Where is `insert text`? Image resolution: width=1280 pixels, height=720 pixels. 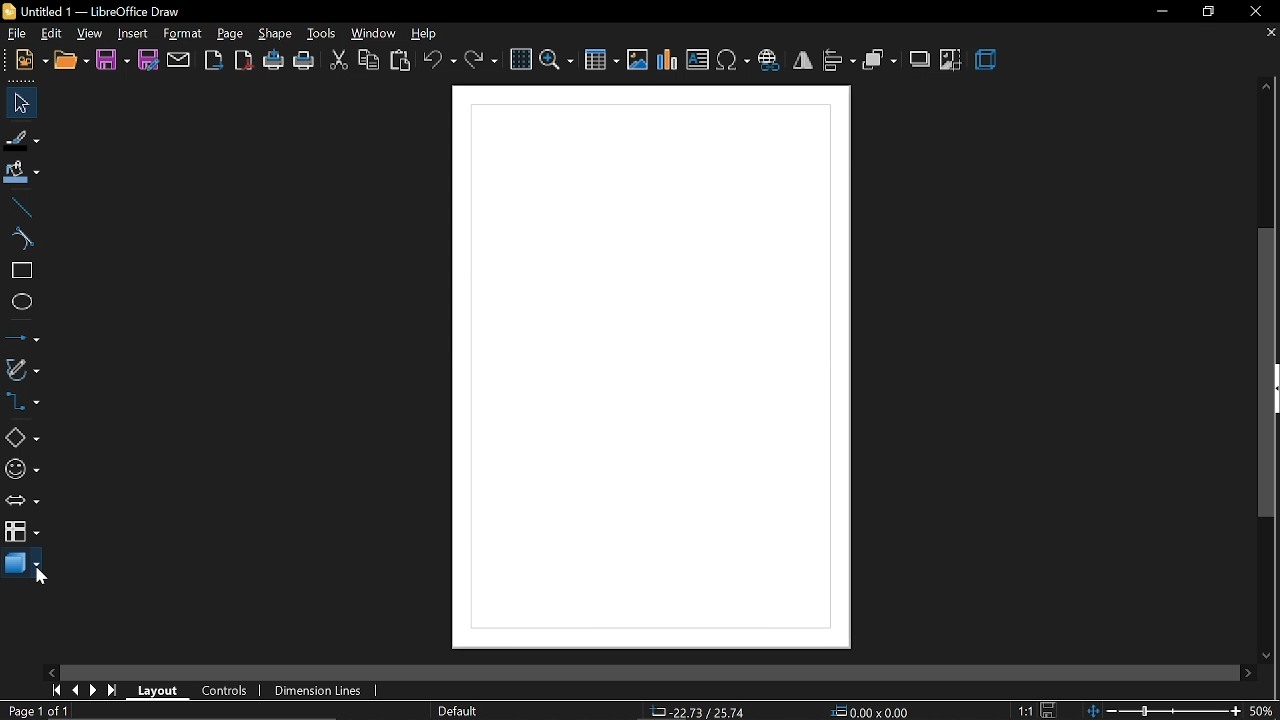
insert text is located at coordinates (698, 60).